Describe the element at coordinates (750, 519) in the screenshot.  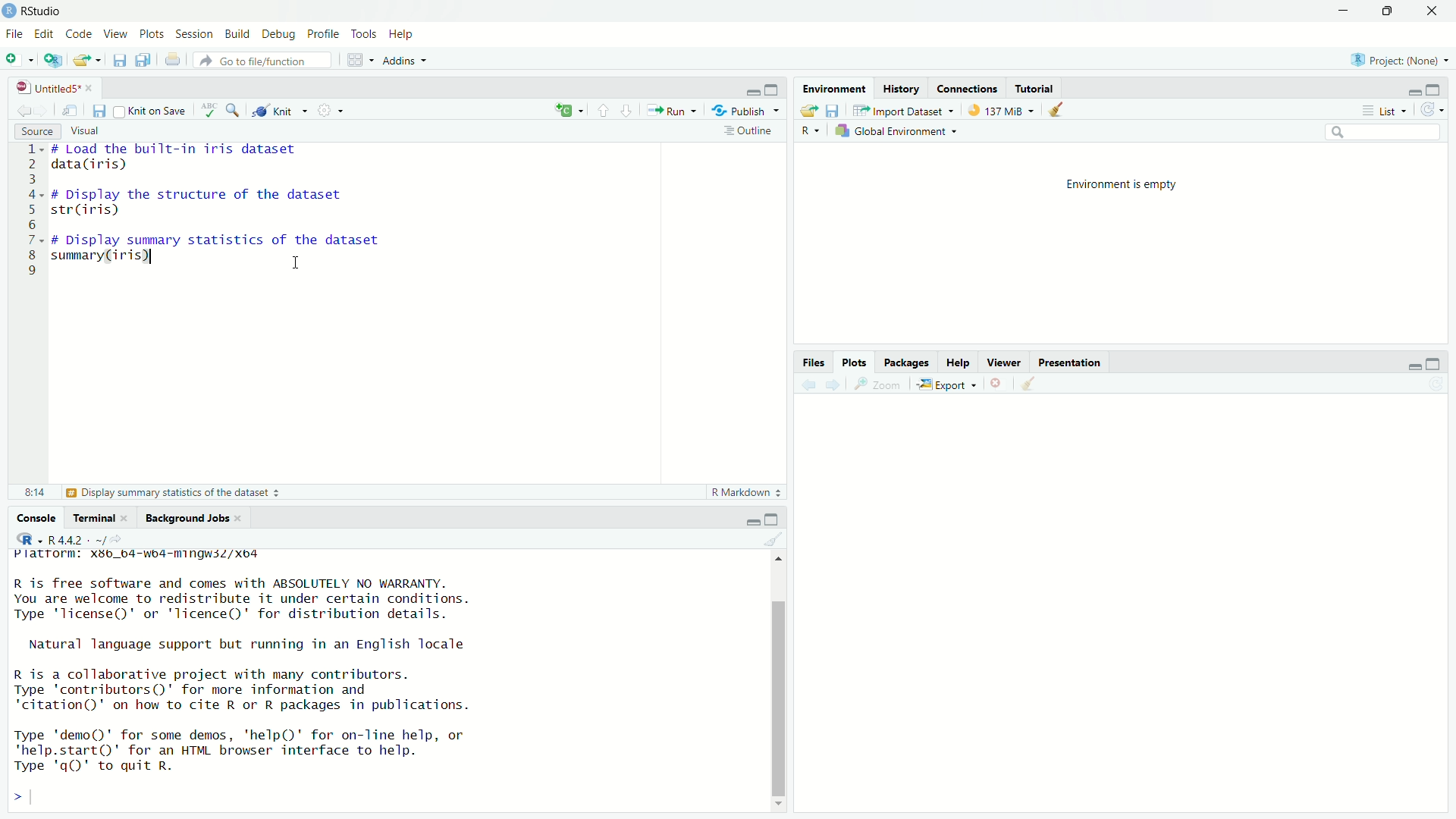
I see `Hide` at that location.